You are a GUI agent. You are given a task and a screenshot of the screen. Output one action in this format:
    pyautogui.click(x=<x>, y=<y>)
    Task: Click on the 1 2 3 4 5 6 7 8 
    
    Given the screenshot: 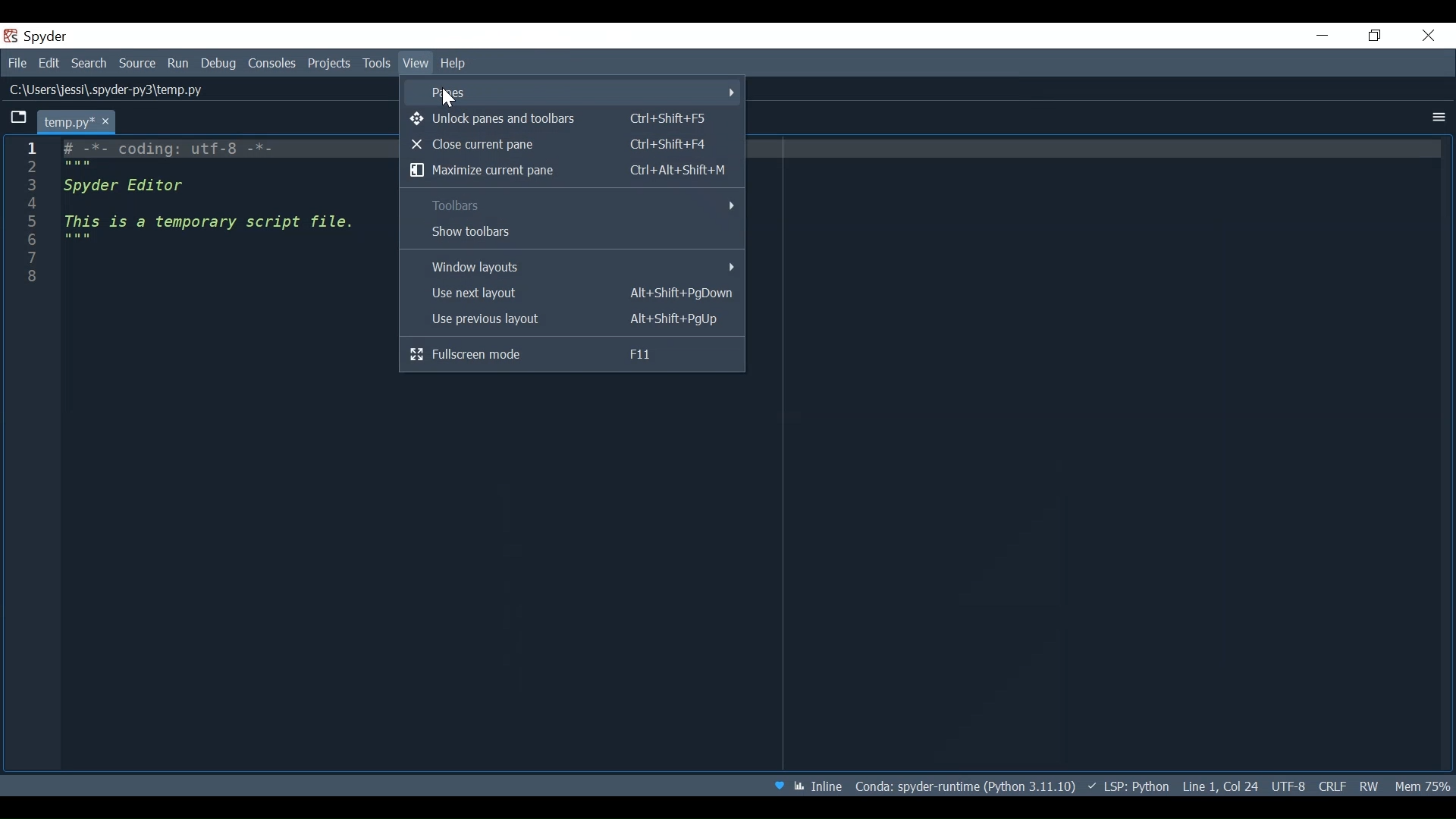 What is the action you would take?
    pyautogui.click(x=34, y=216)
    